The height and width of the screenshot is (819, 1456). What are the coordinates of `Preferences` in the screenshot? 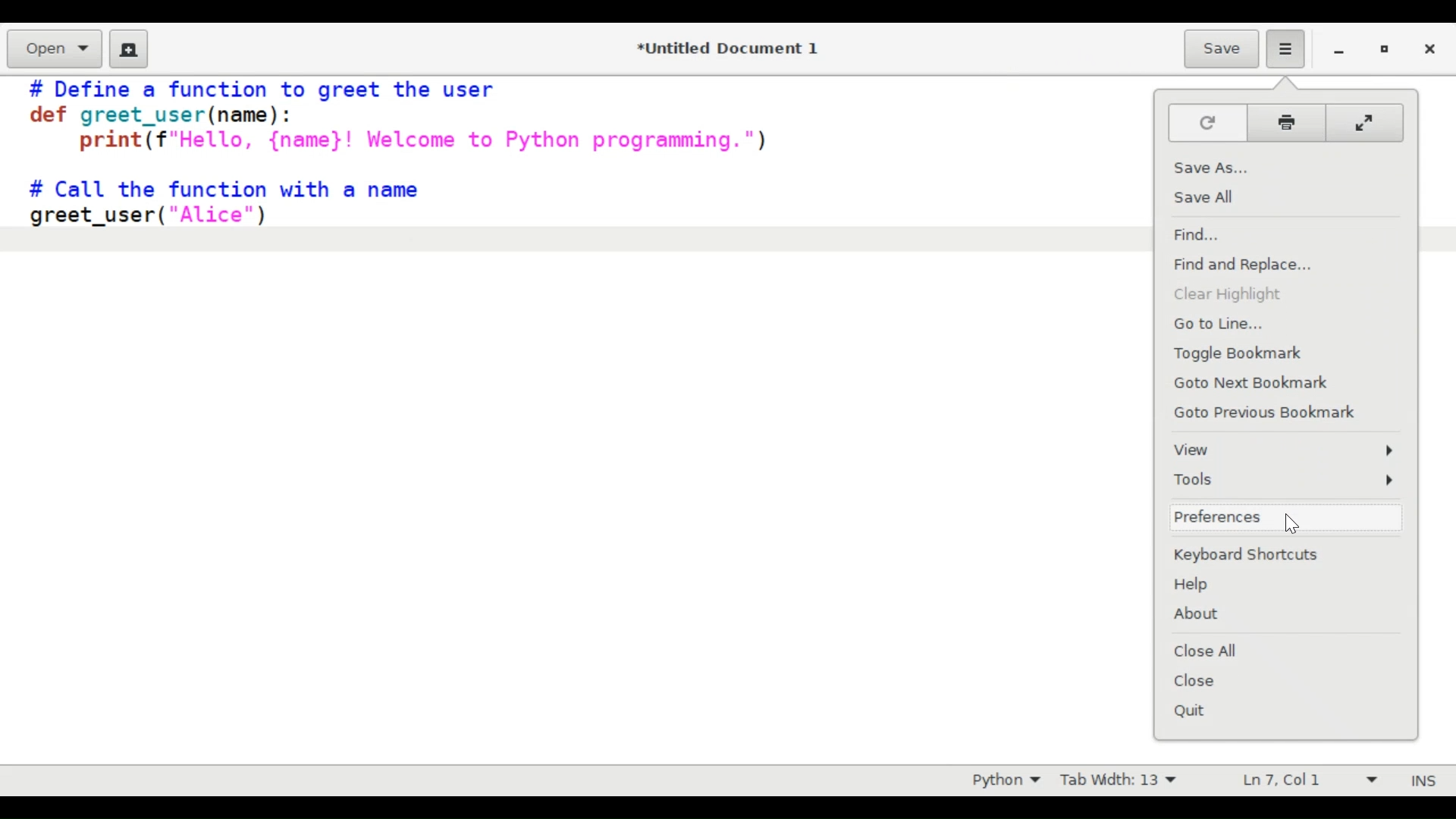 It's located at (1165, 49).